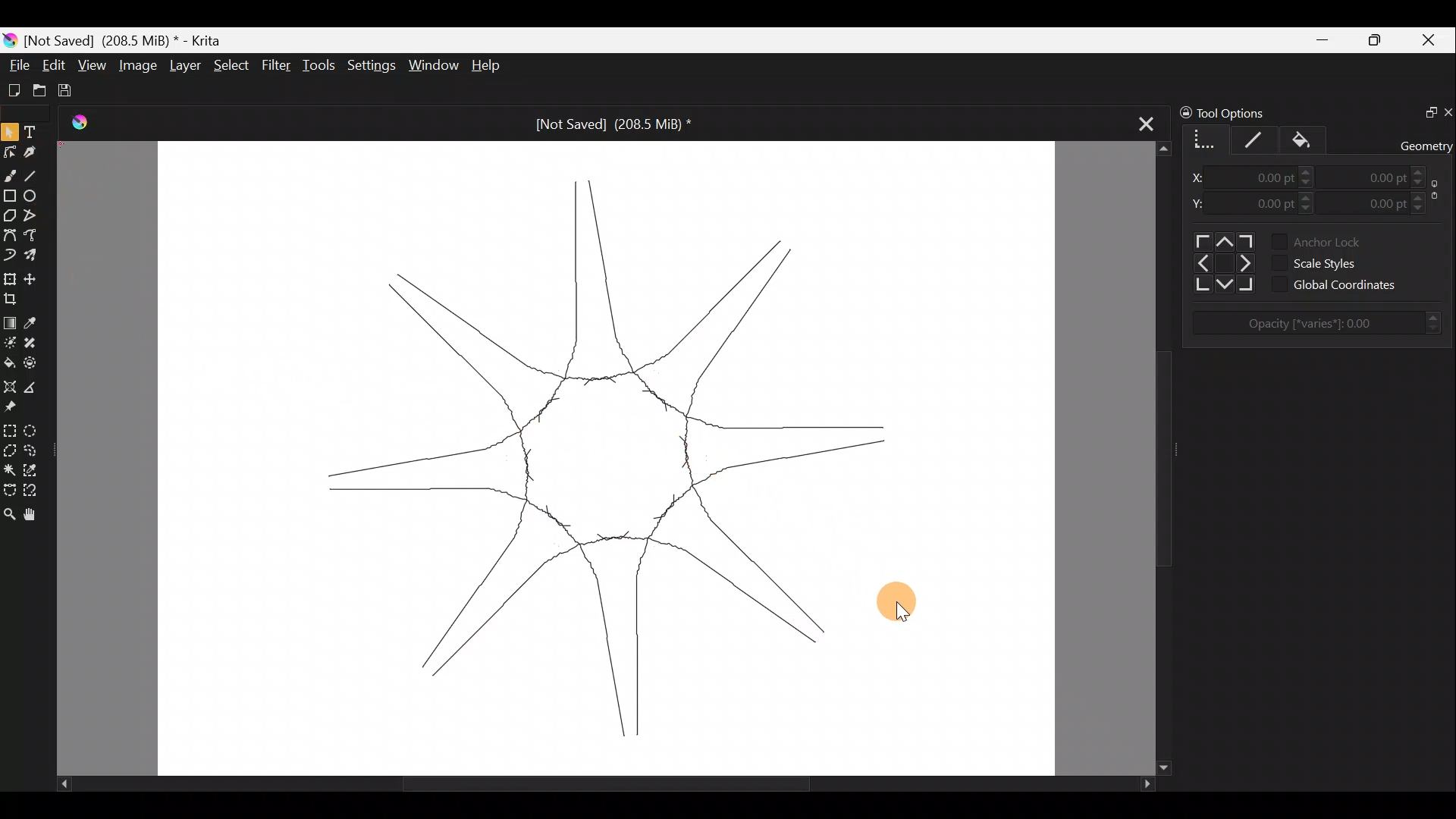  Describe the element at coordinates (1376, 177) in the screenshot. I see `0.00pt` at that location.